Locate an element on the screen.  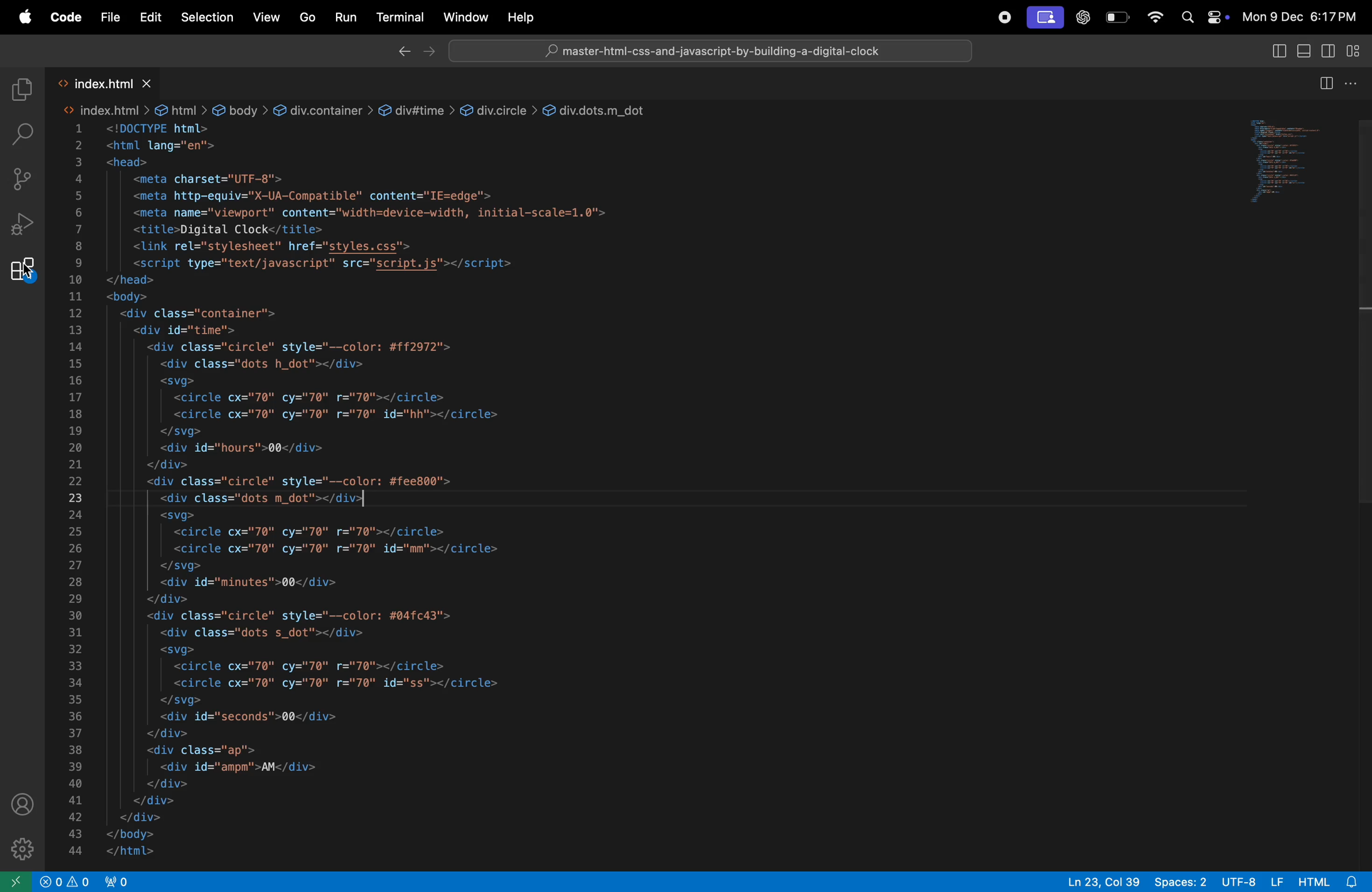
spaces is located at coordinates (1180, 880).